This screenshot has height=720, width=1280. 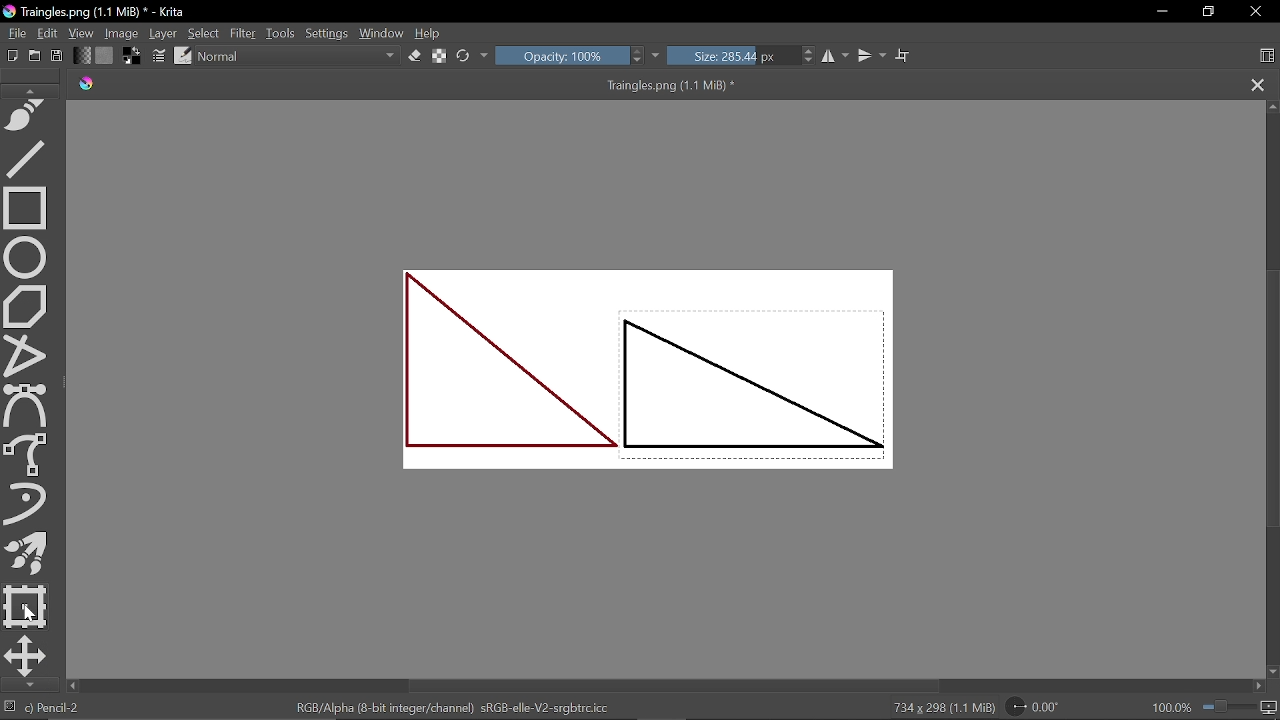 What do you see at coordinates (381, 34) in the screenshot?
I see `Window` at bounding box center [381, 34].